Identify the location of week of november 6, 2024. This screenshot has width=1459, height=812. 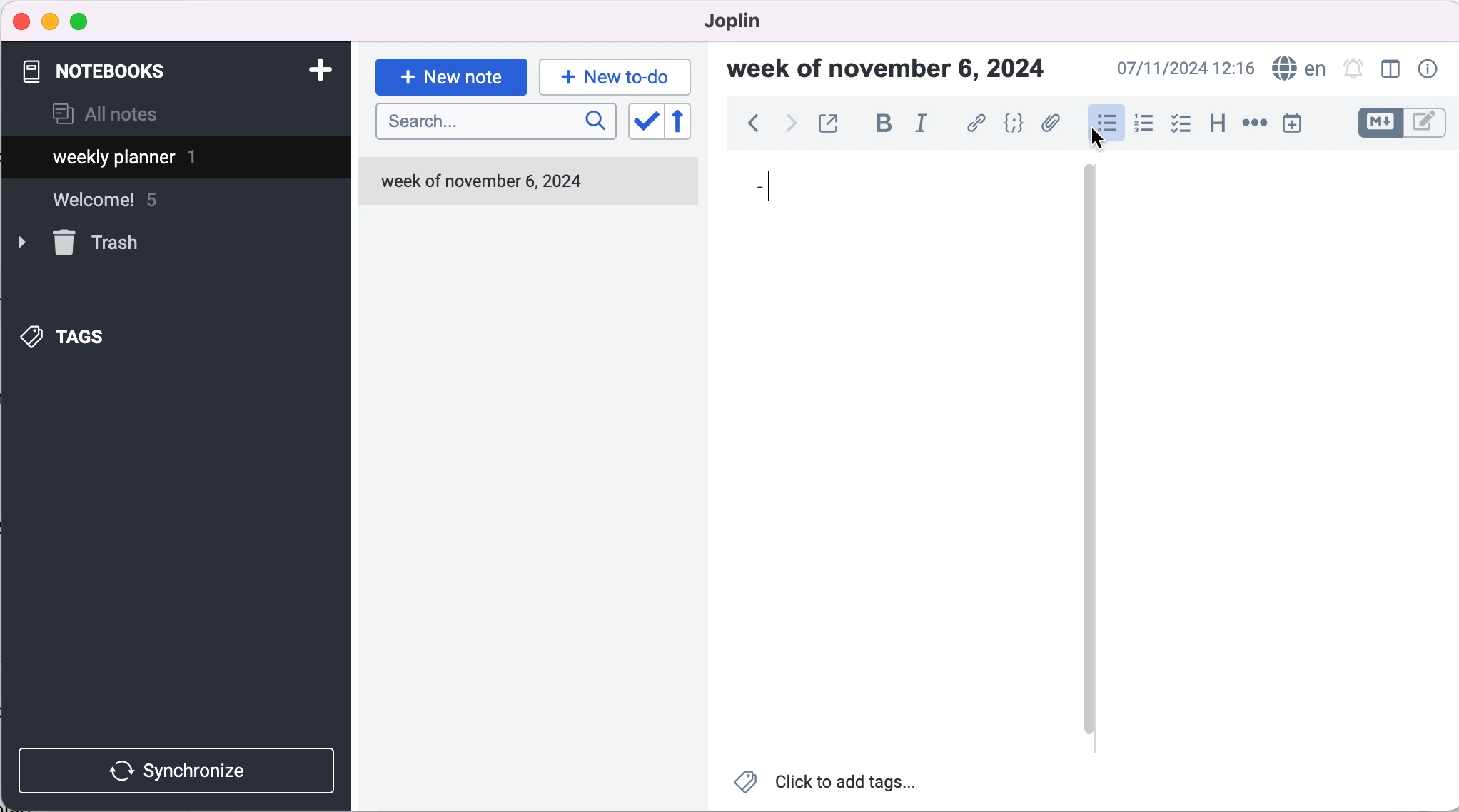
(527, 183).